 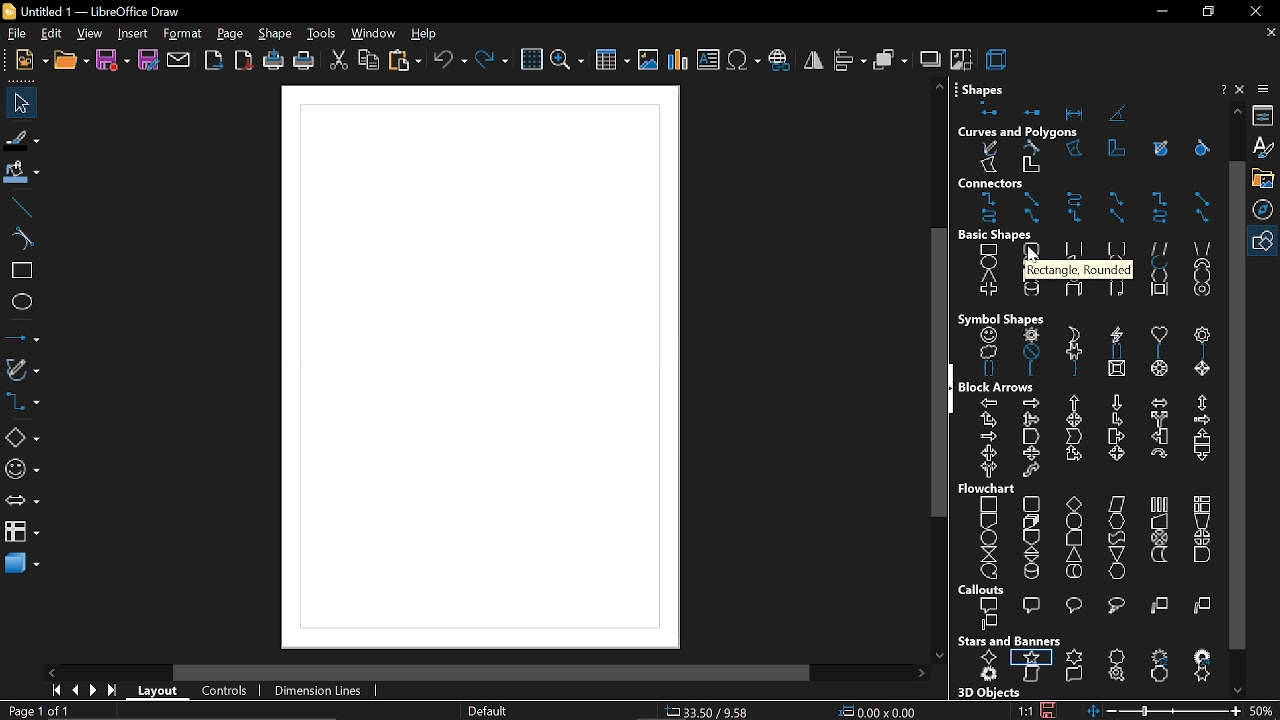 I want to click on paste, so click(x=406, y=62).